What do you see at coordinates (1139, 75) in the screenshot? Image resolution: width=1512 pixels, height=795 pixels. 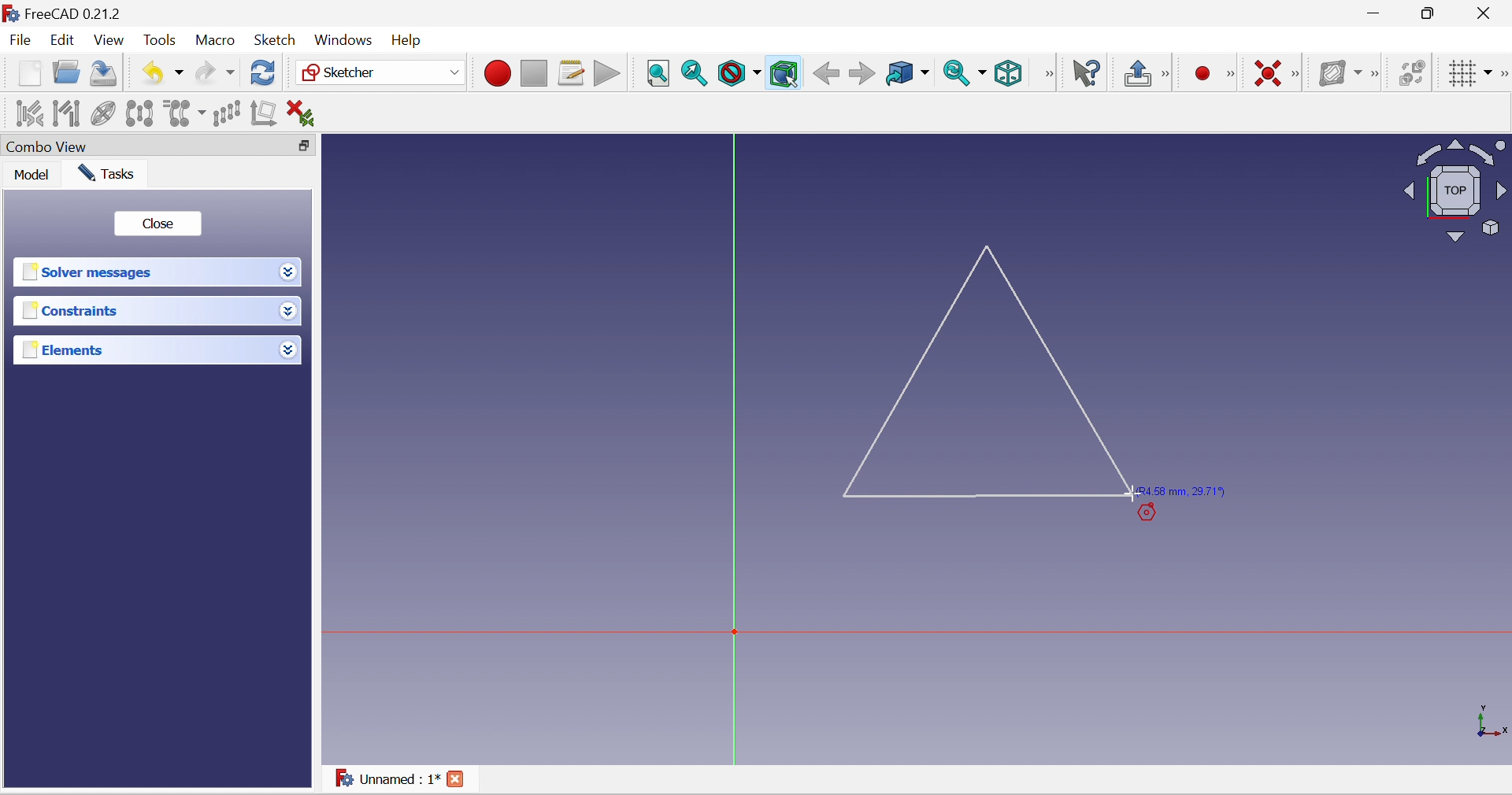 I see `Leave sketch` at bounding box center [1139, 75].